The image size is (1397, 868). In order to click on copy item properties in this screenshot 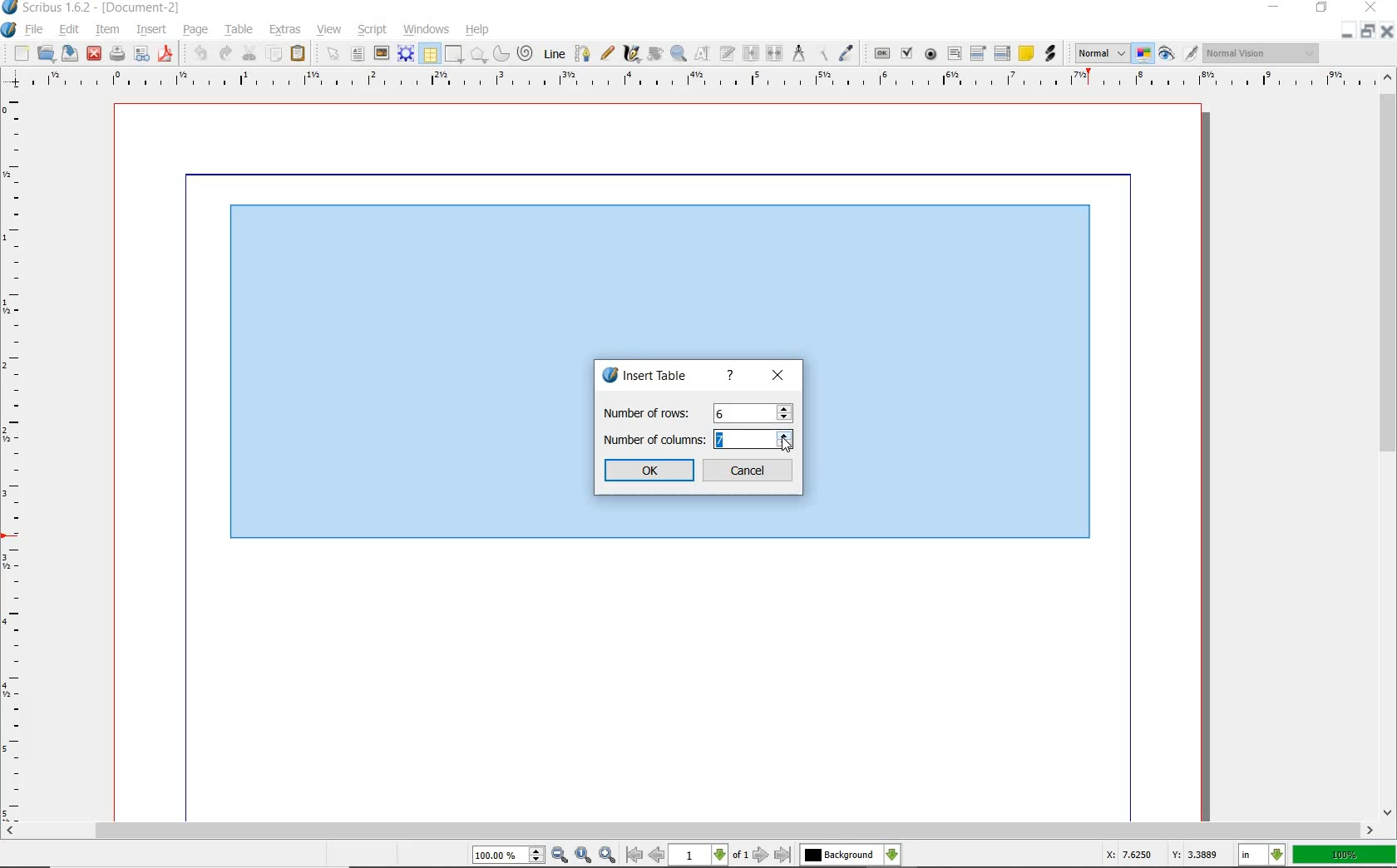, I will do `click(823, 56)`.